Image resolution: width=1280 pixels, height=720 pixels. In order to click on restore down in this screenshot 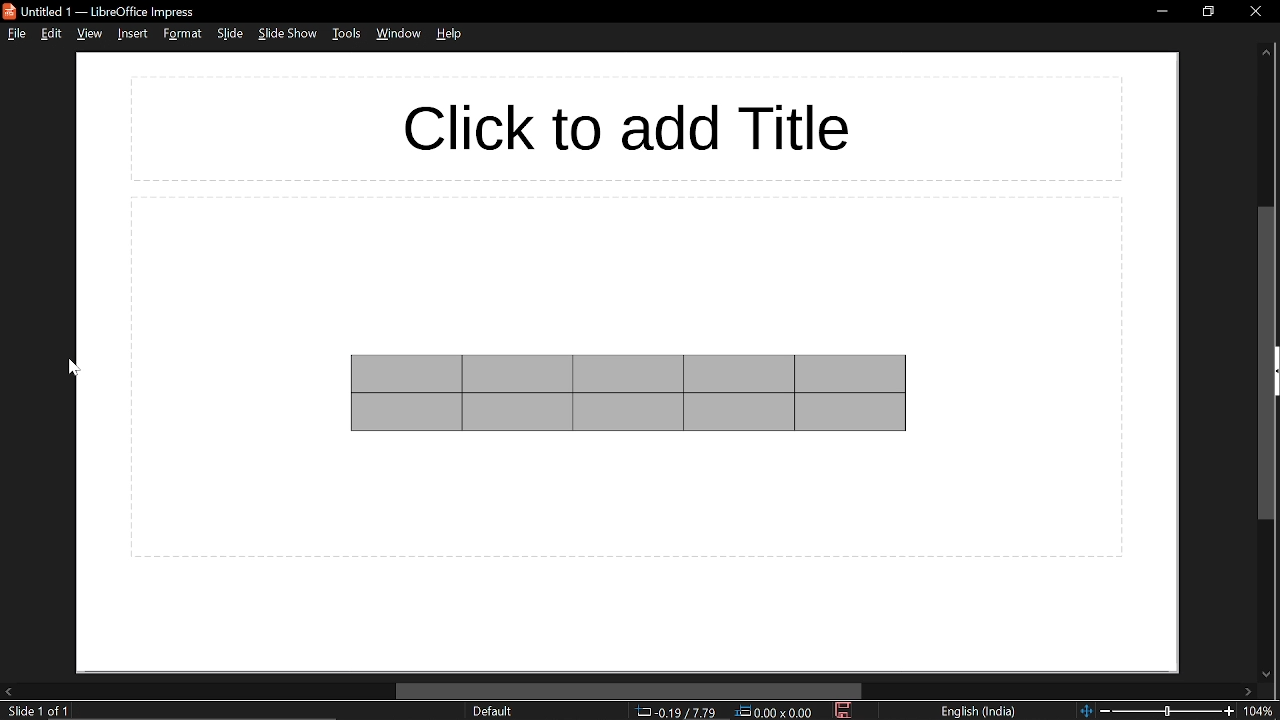, I will do `click(1205, 14)`.